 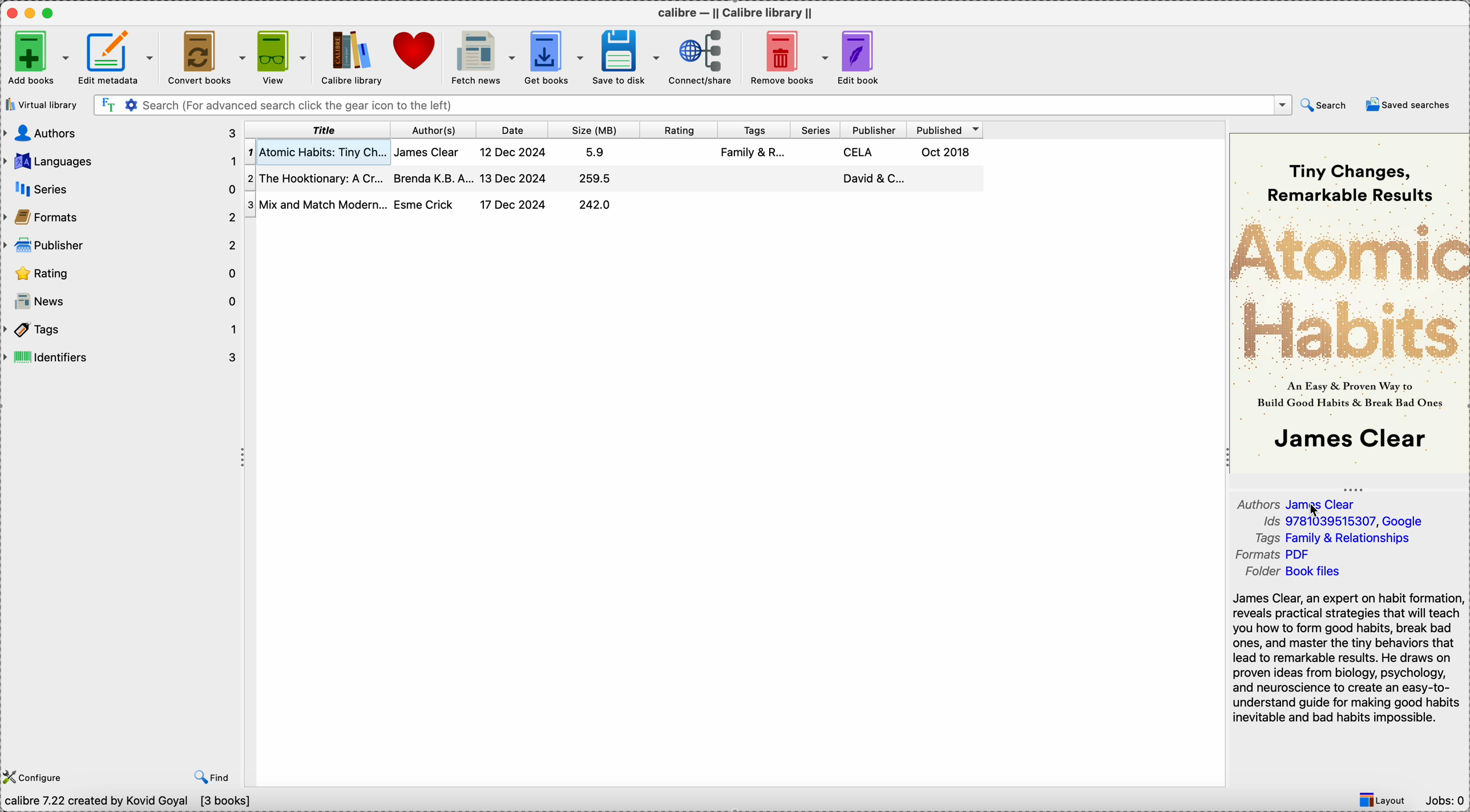 What do you see at coordinates (514, 205) in the screenshot?
I see `17 Dec 2024` at bounding box center [514, 205].